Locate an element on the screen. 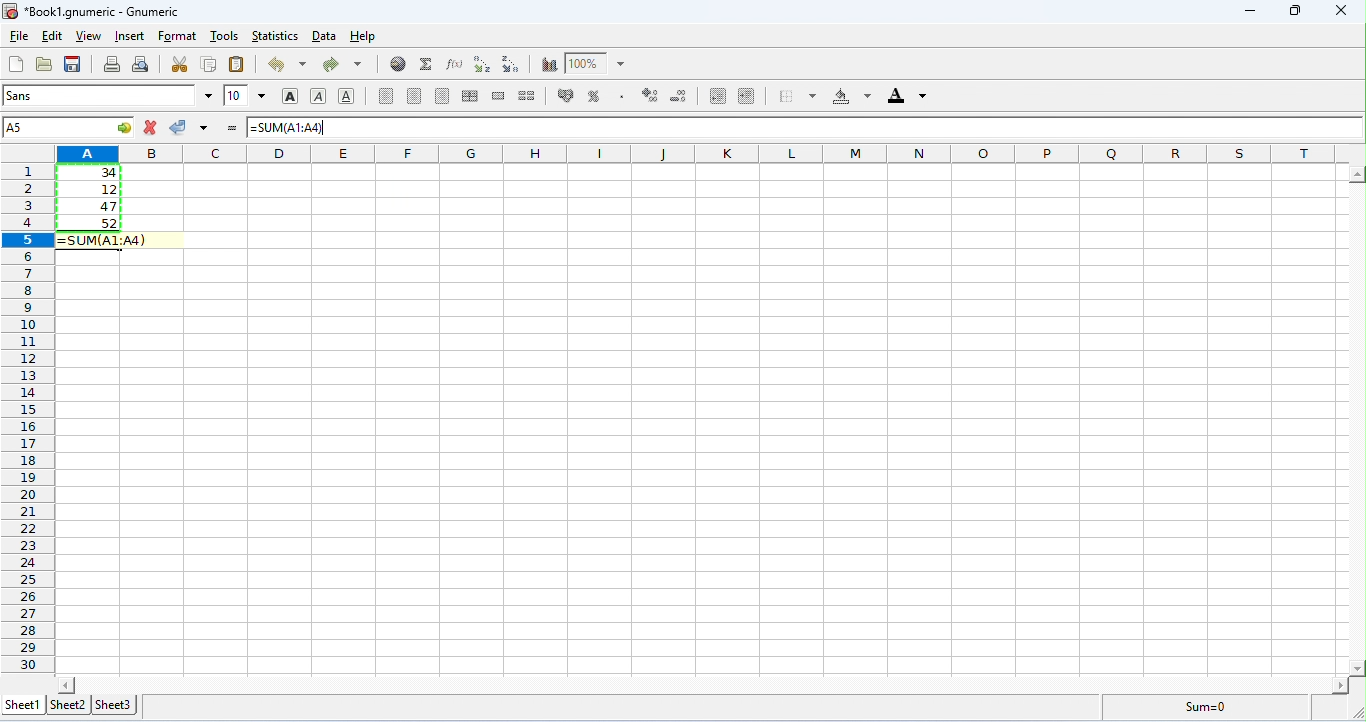 This screenshot has height=722, width=1366. zoom is located at coordinates (595, 62).